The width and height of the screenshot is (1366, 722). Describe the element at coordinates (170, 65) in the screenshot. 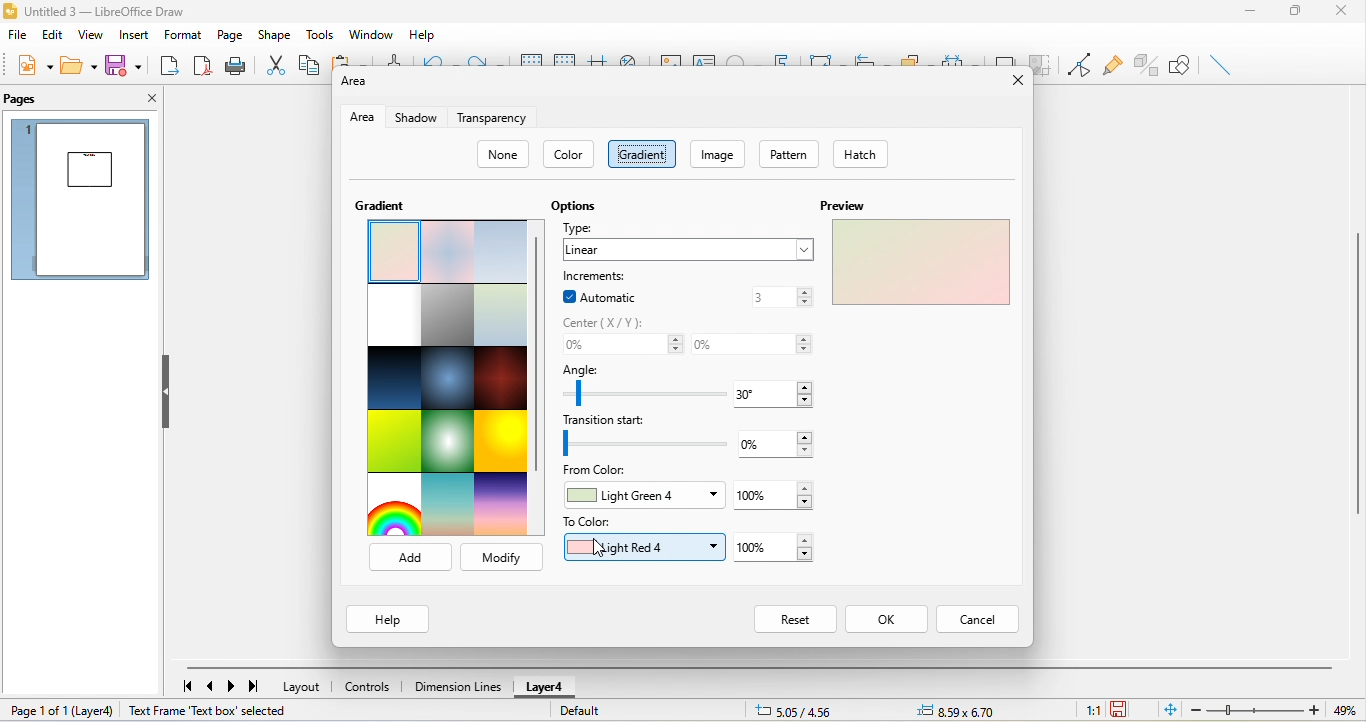

I see `export` at that location.